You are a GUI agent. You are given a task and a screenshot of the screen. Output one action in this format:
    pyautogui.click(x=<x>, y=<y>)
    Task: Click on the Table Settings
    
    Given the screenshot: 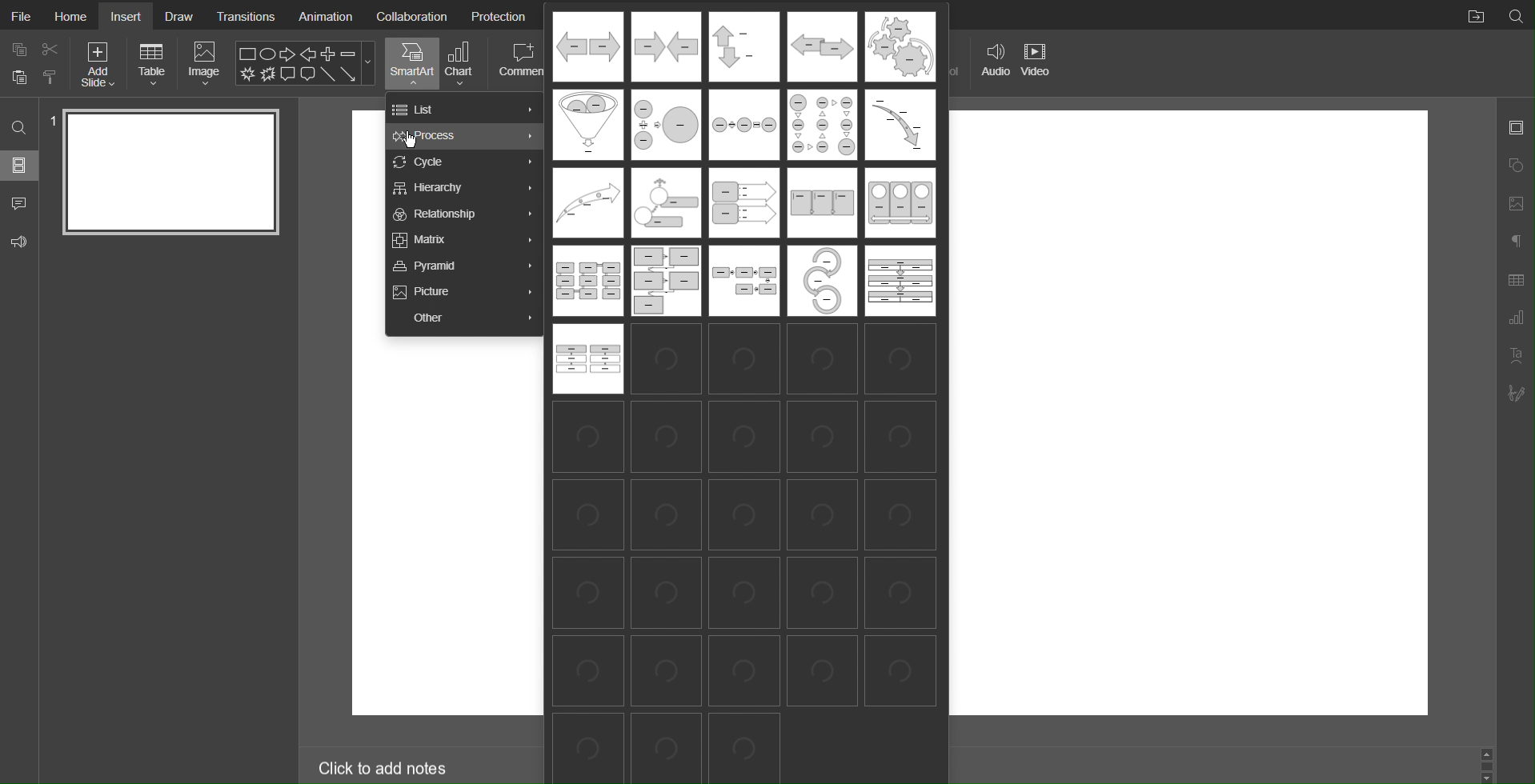 What is the action you would take?
    pyautogui.click(x=1516, y=279)
    